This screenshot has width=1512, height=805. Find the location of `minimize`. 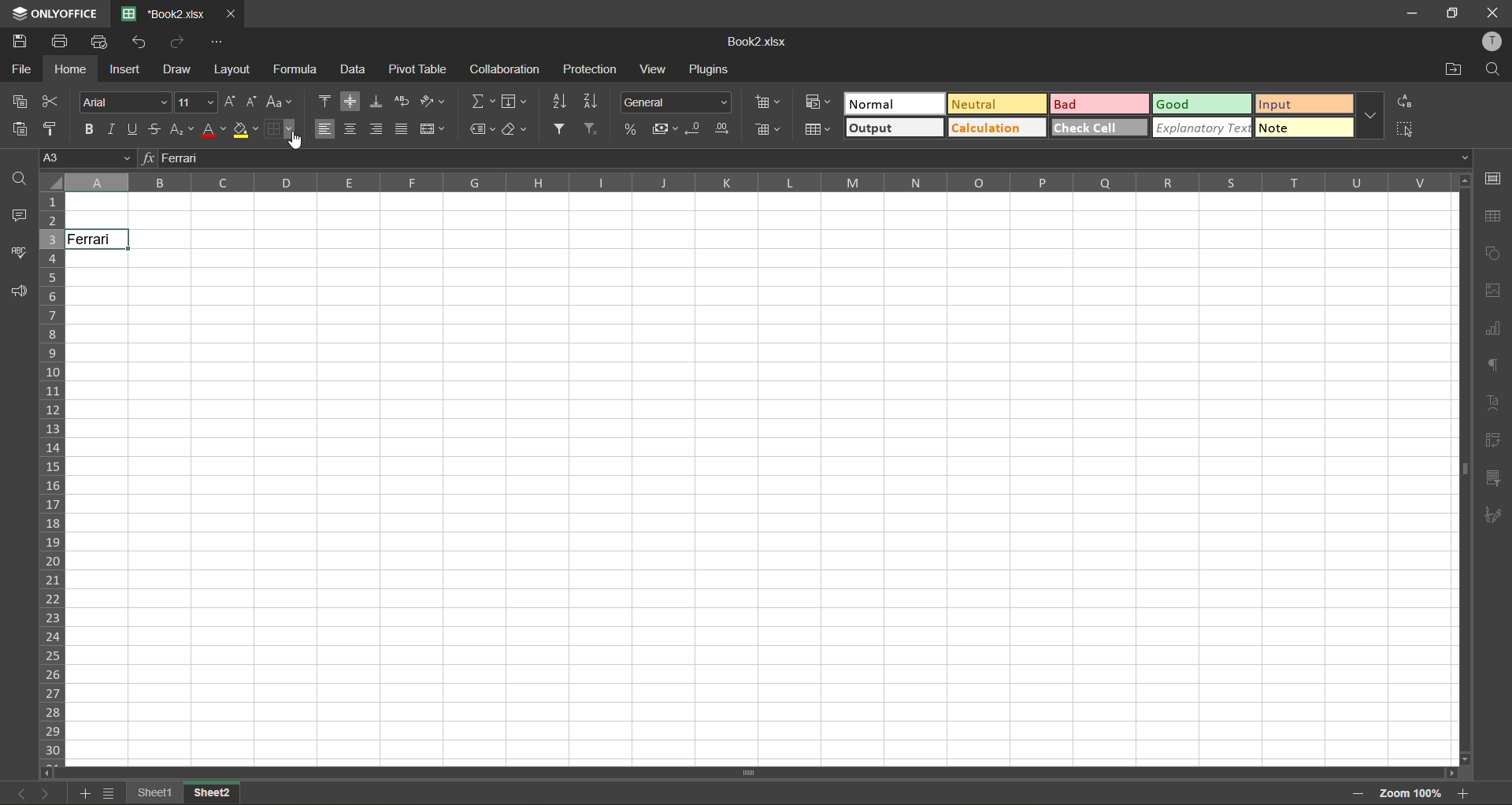

minimize is located at coordinates (1413, 13).